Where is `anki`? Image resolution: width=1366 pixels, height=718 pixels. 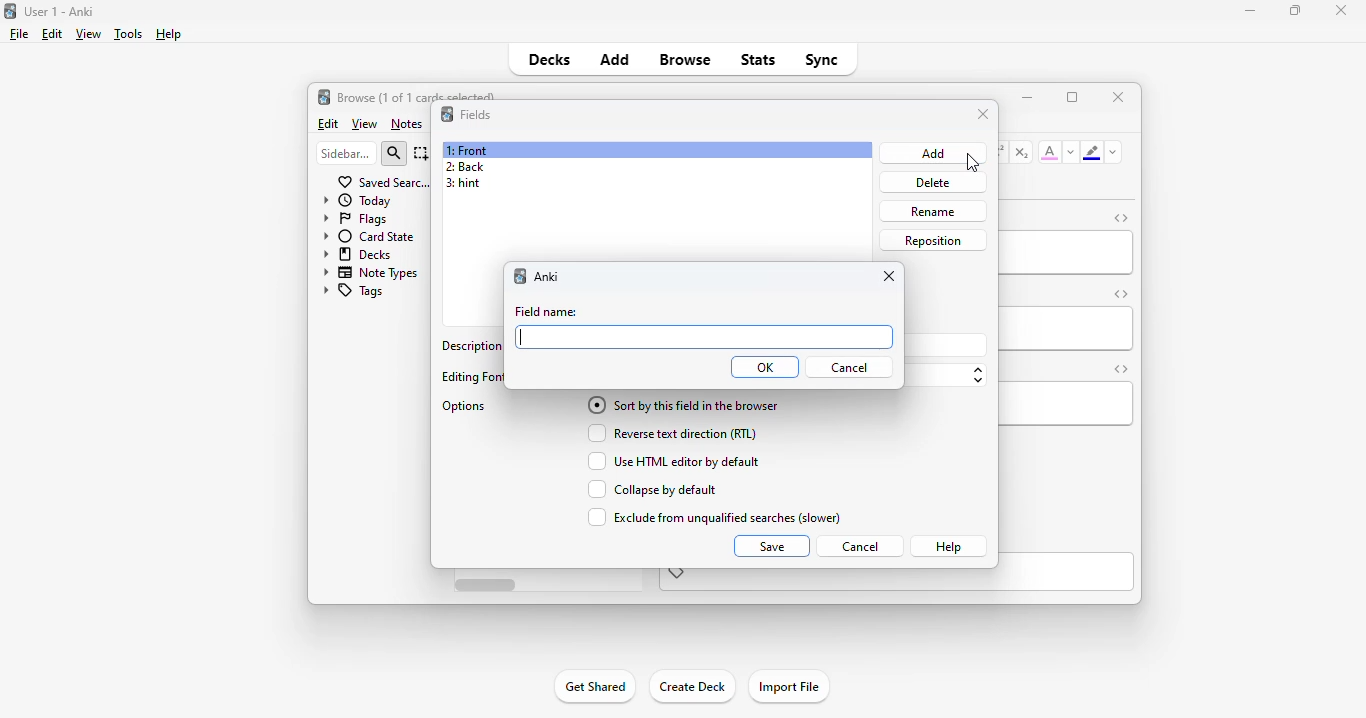 anki is located at coordinates (546, 276).